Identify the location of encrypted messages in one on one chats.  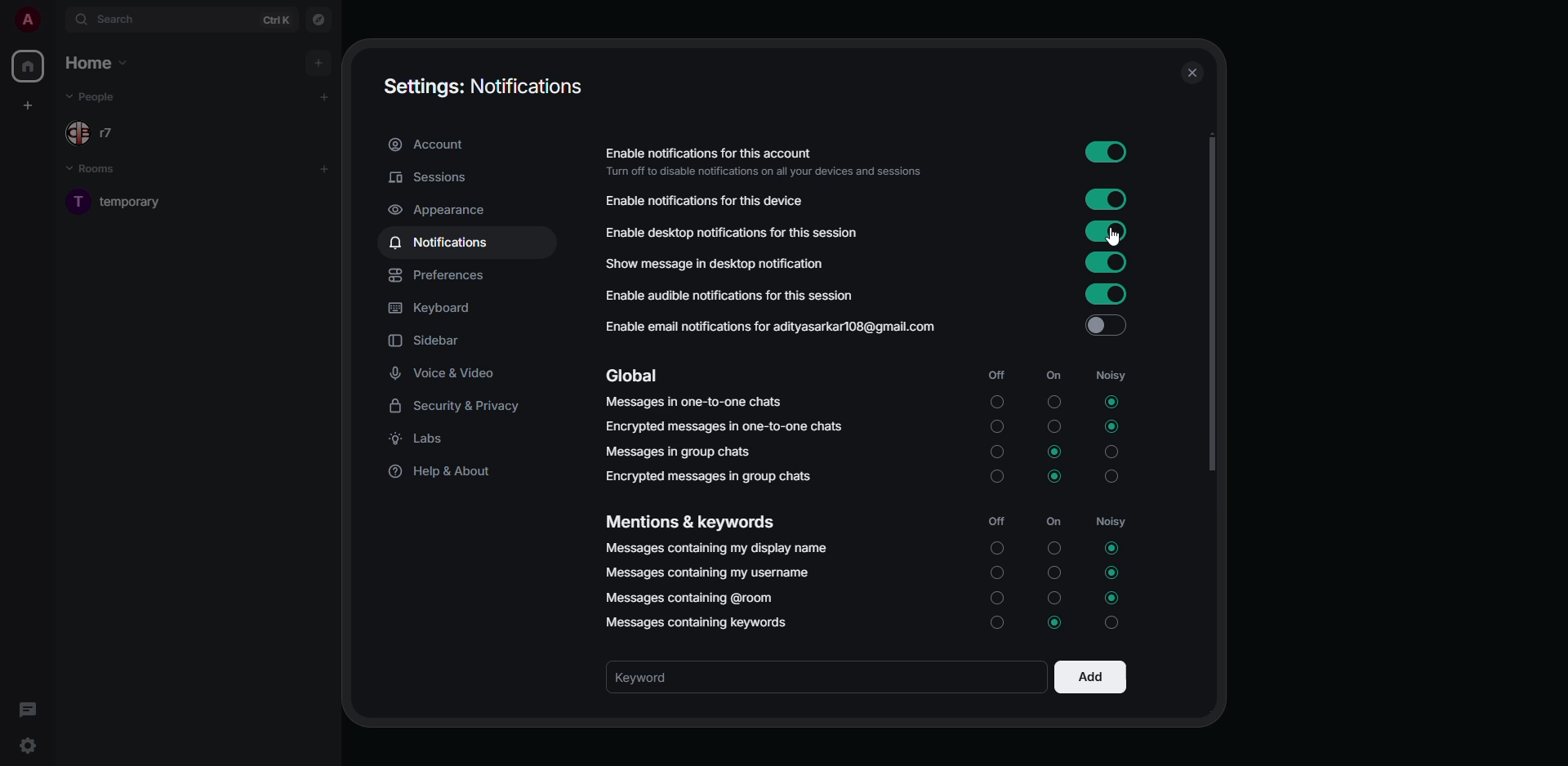
(727, 426).